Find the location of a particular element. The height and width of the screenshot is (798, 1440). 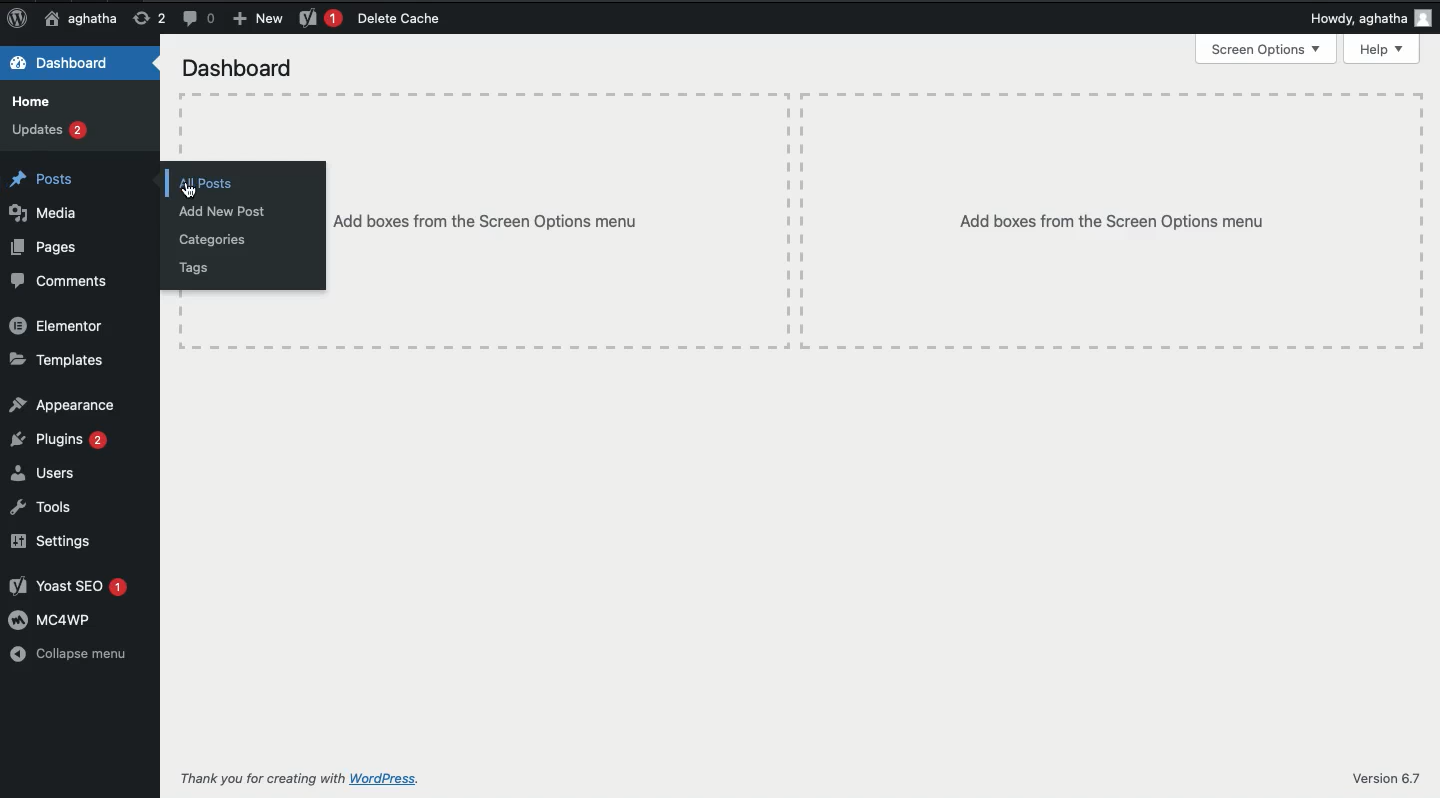

Posts is located at coordinates (42, 178).